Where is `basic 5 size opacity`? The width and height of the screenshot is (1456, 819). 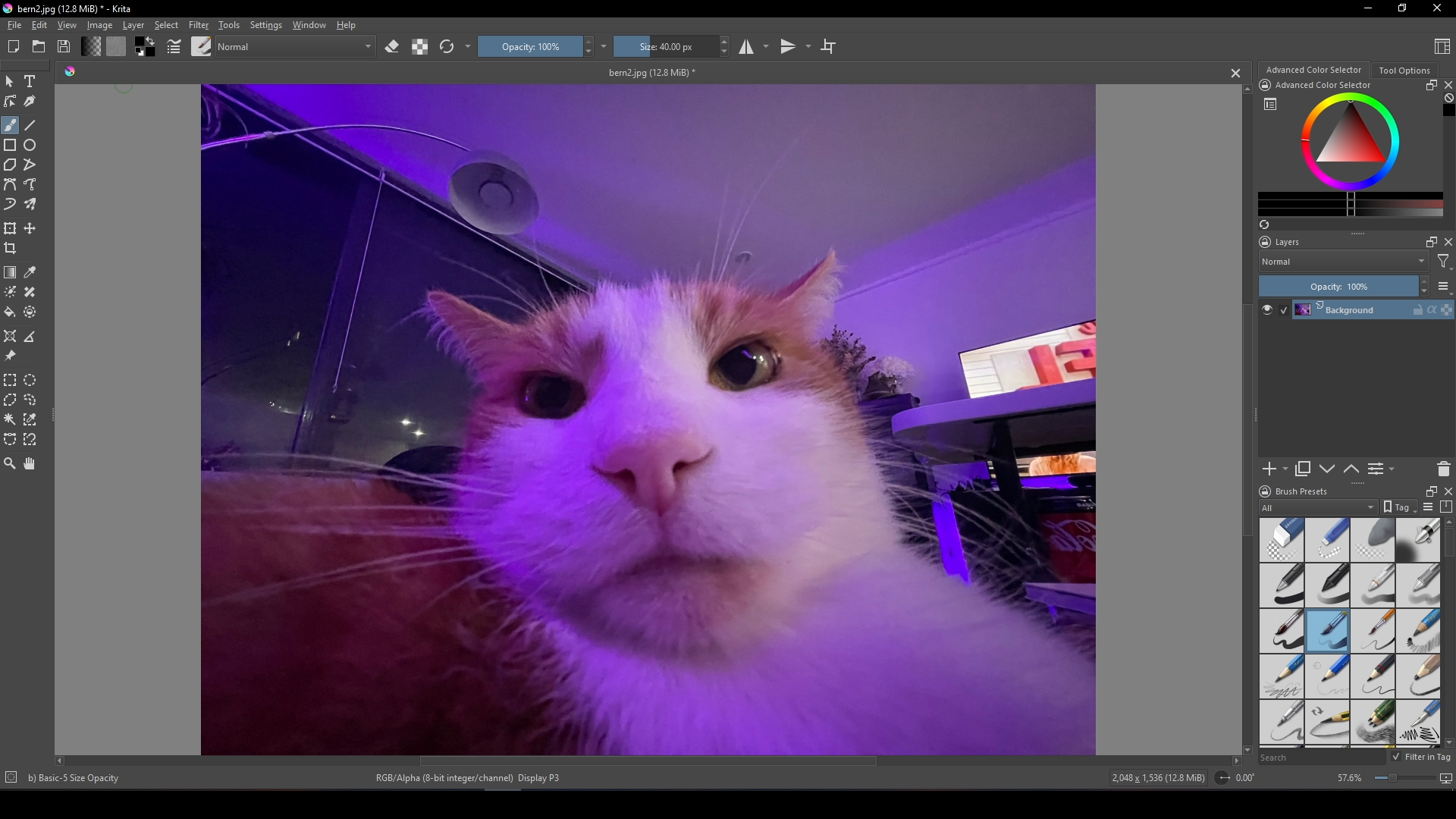 basic 5 size opacity is located at coordinates (76, 779).